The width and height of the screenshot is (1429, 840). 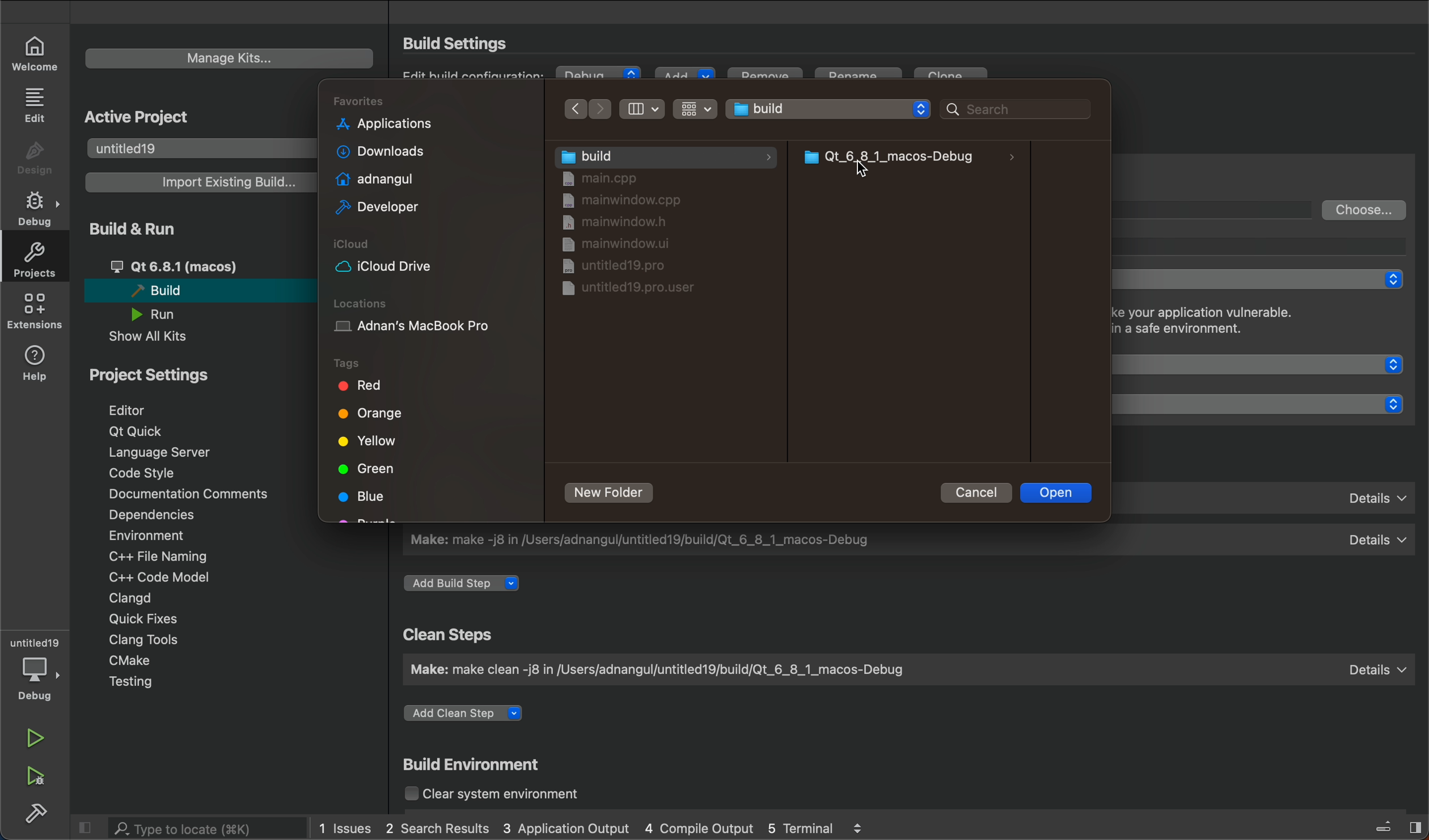 I want to click on , so click(x=644, y=109).